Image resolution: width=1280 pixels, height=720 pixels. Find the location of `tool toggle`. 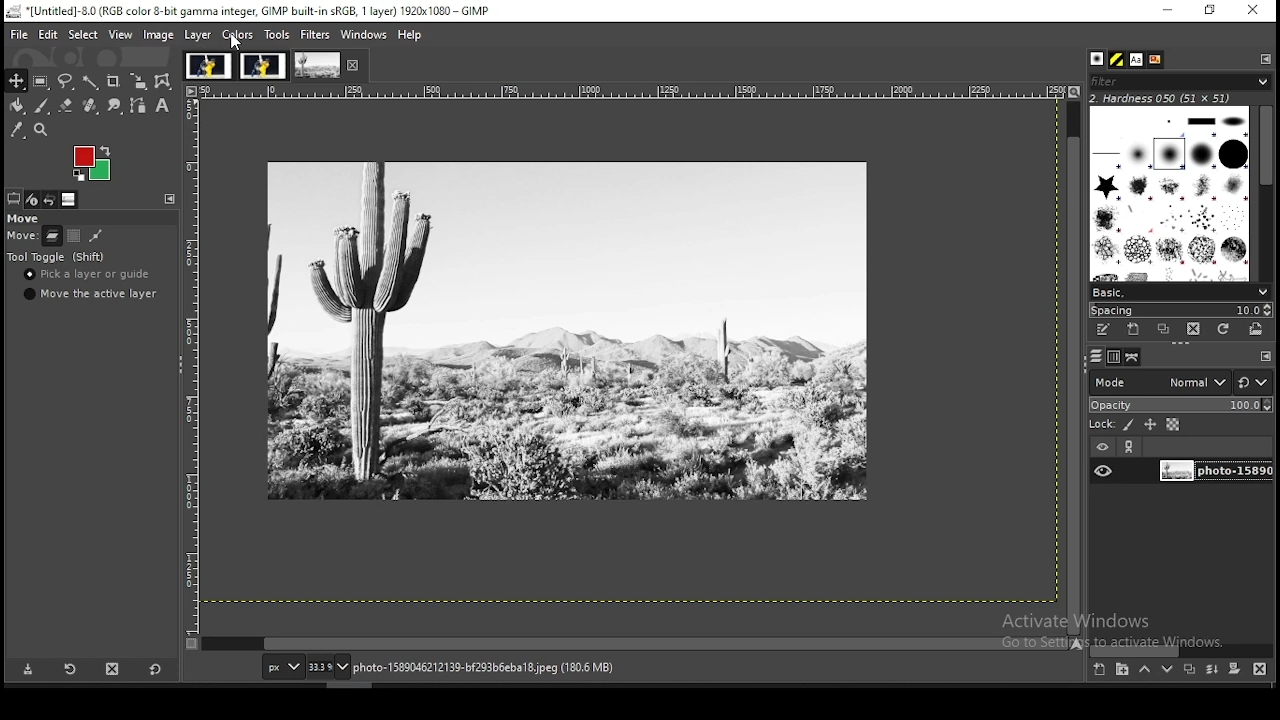

tool toggle is located at coordinates (57, 257).